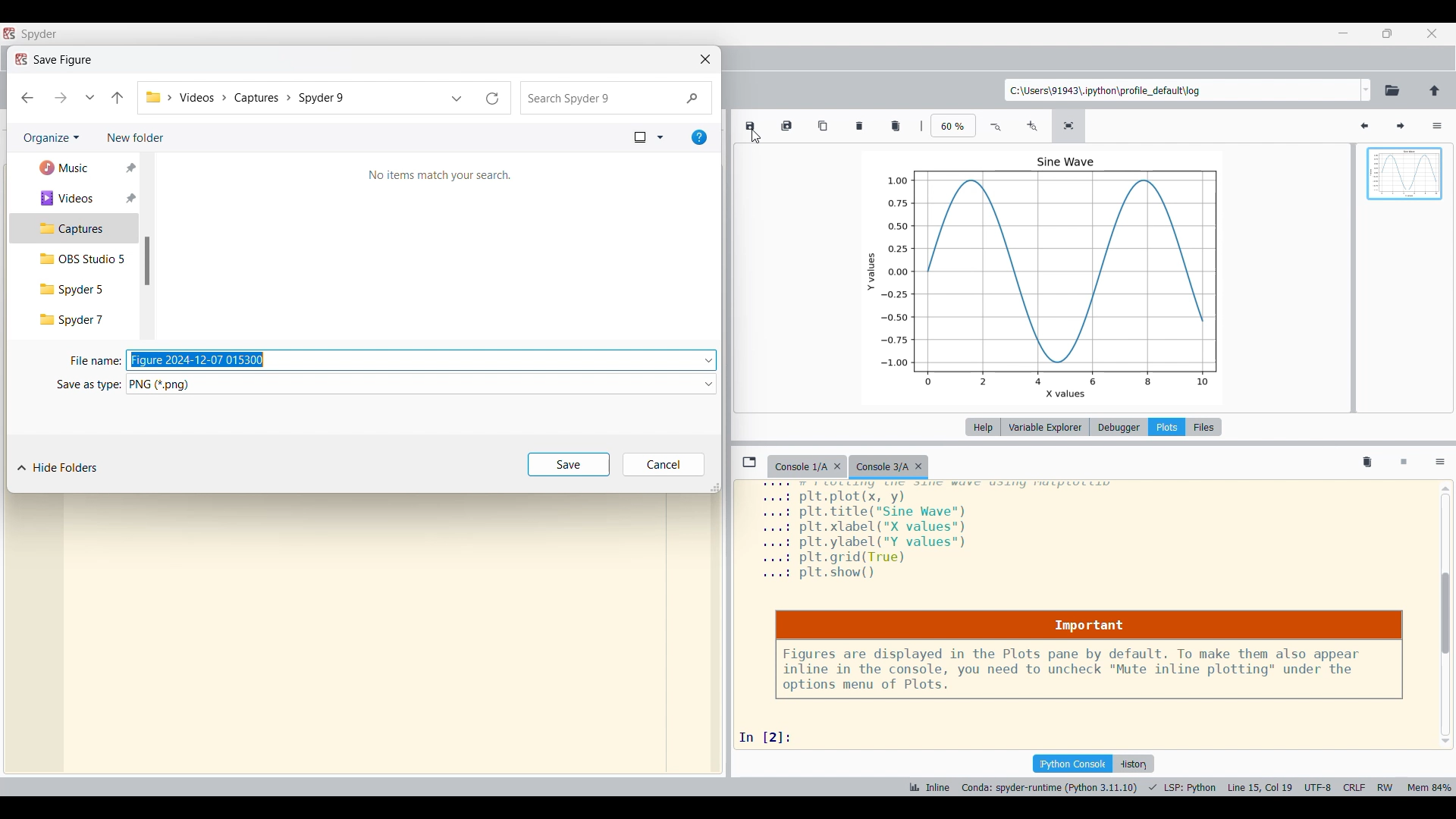 This screenshot has height=819, width=1456. Describe the element at coordinates (1119, 427) in the screenshot. I see `Debugger` at that location.